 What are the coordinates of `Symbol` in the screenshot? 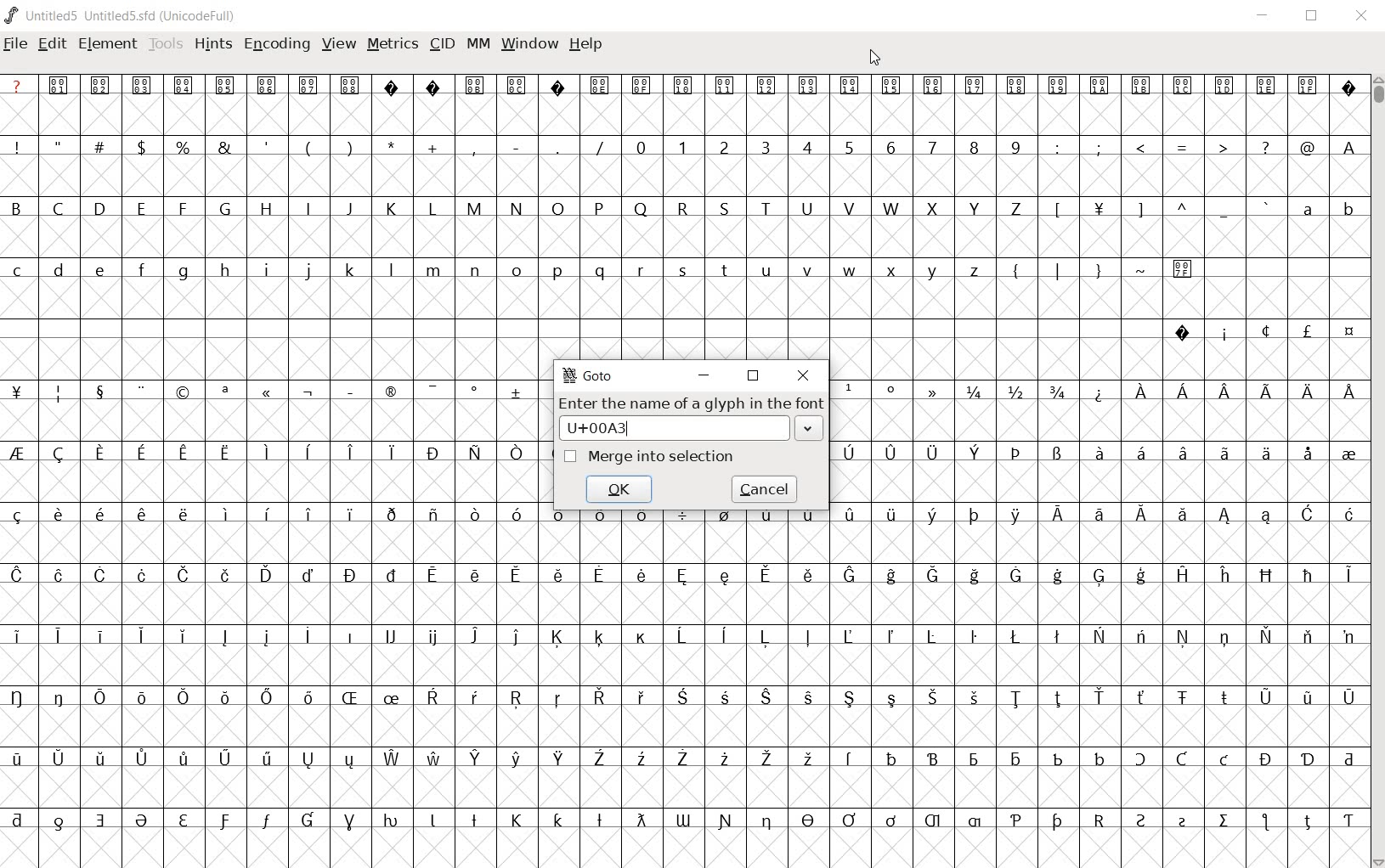 It's located at (1100, 696).